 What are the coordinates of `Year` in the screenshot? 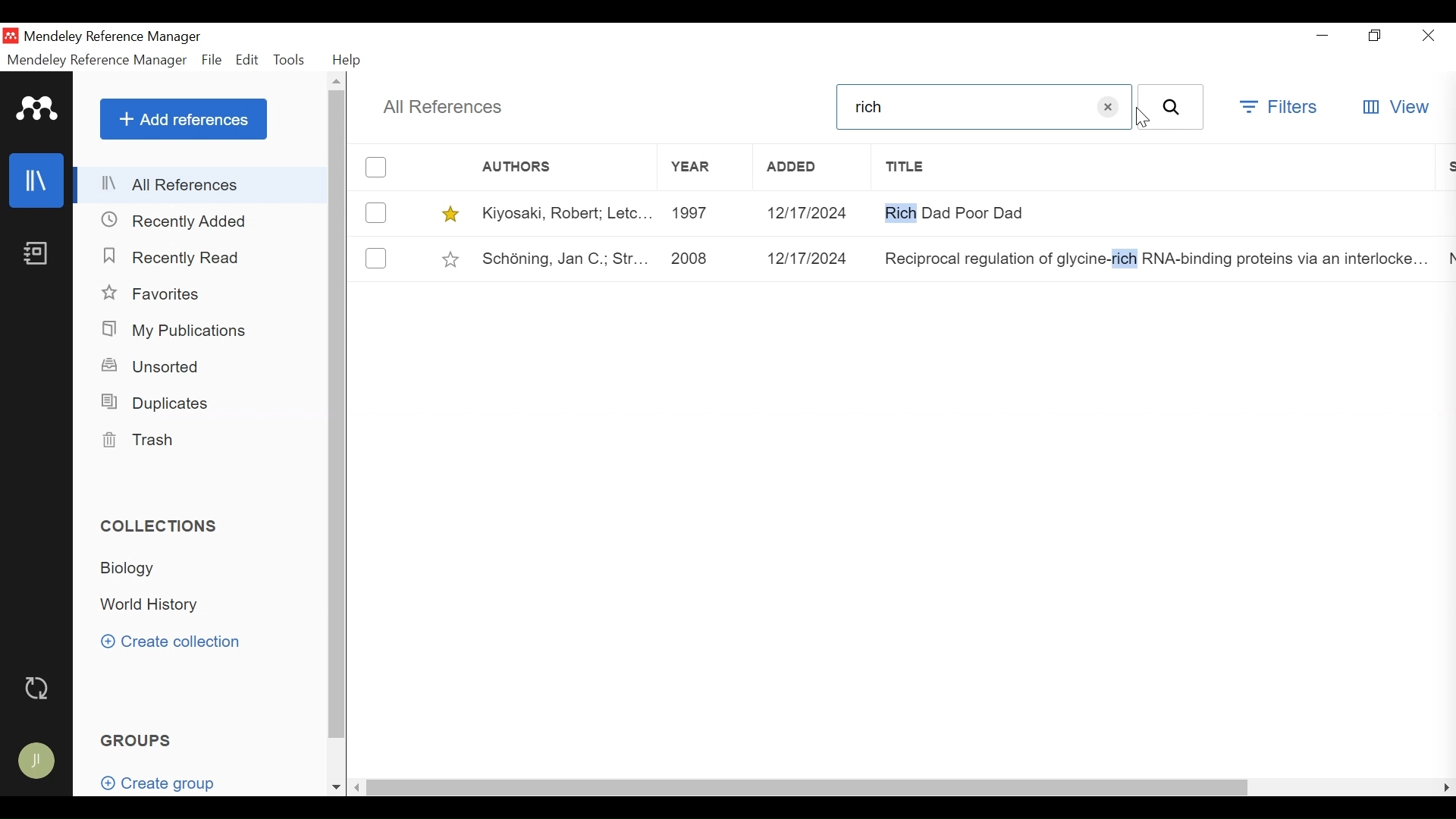 It's located at (703, 168).